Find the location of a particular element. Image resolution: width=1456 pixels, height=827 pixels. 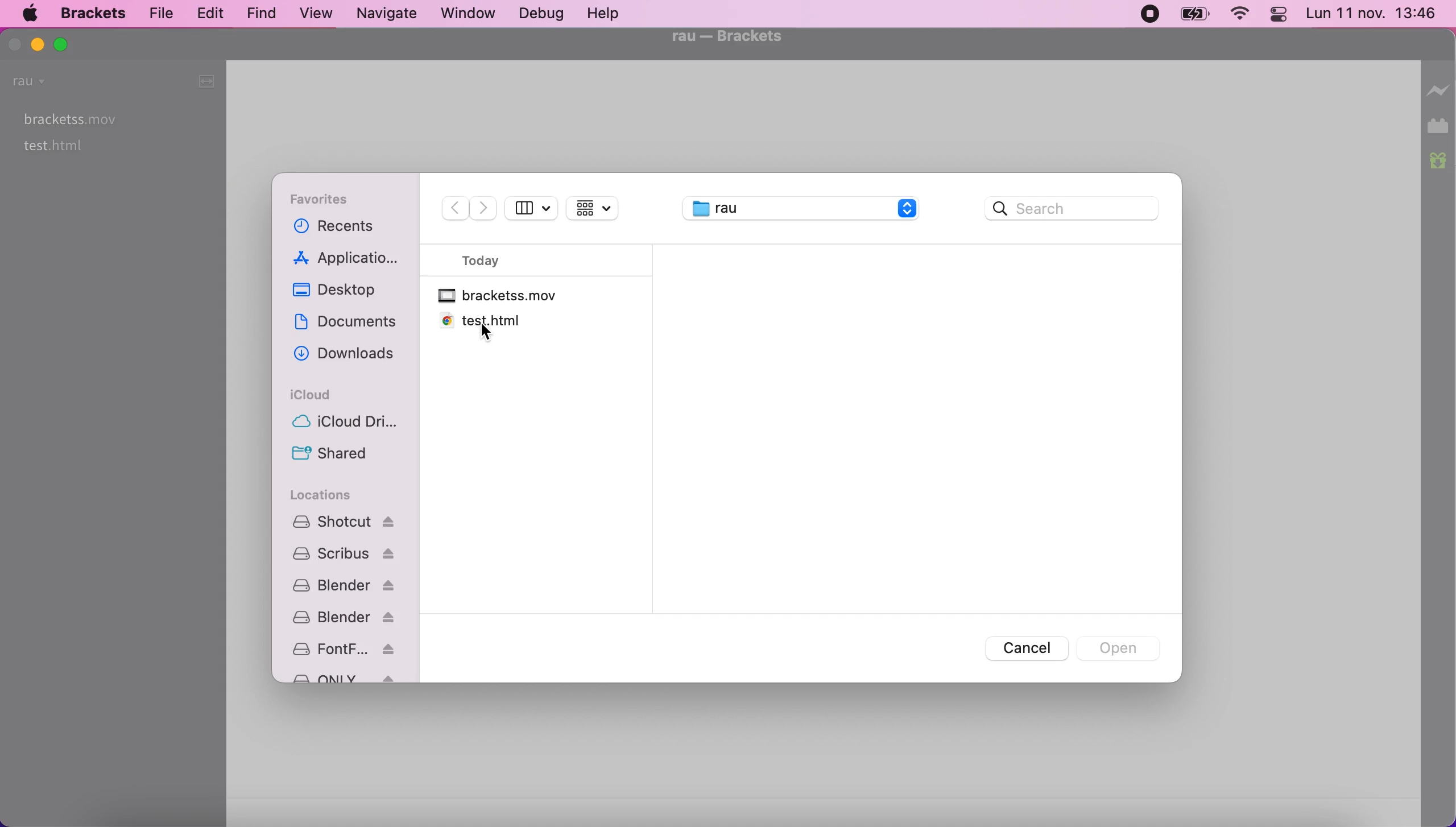

back is located at coordinates (452, 208).